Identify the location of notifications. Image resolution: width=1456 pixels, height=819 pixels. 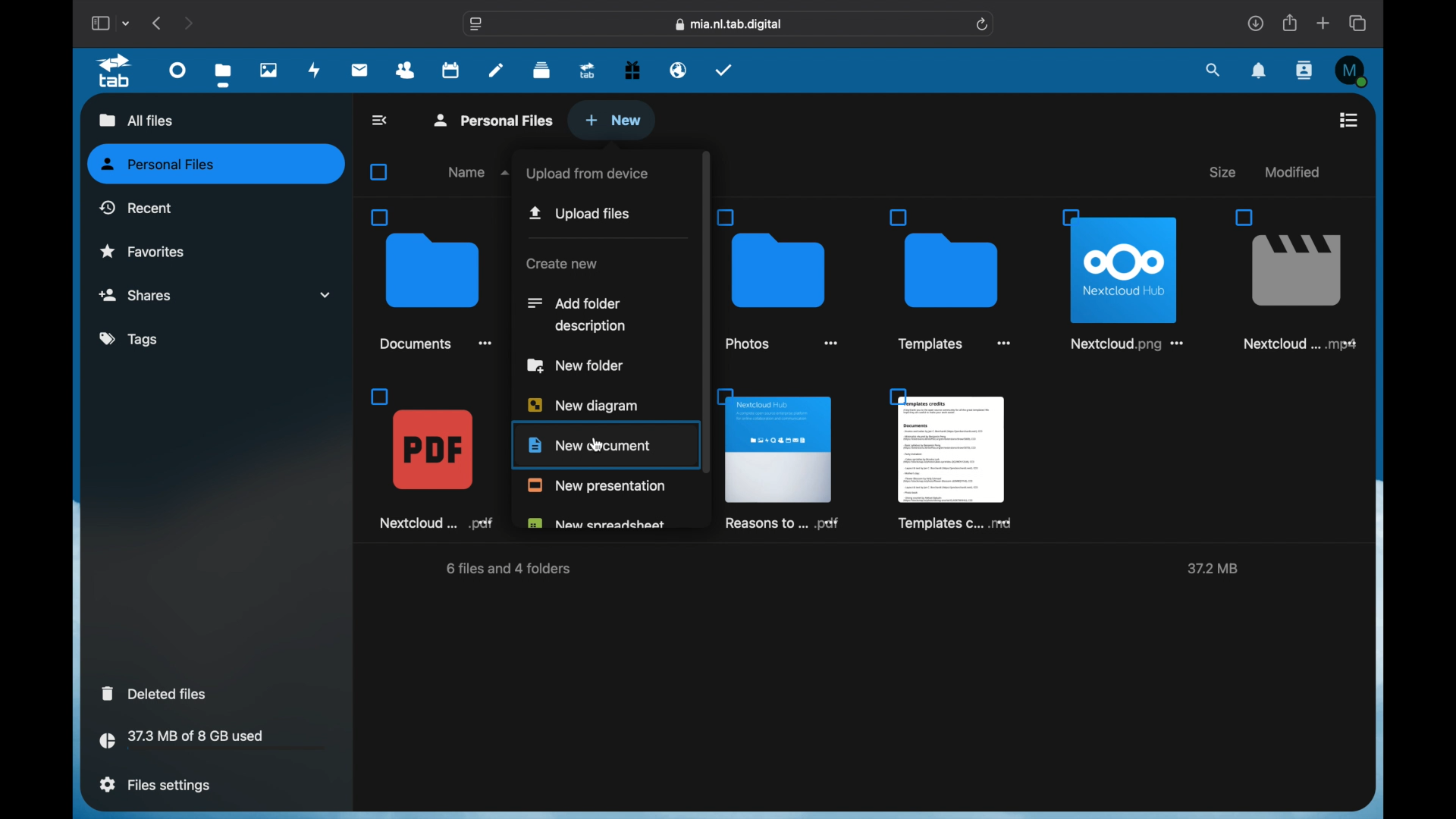
(1260, 71).